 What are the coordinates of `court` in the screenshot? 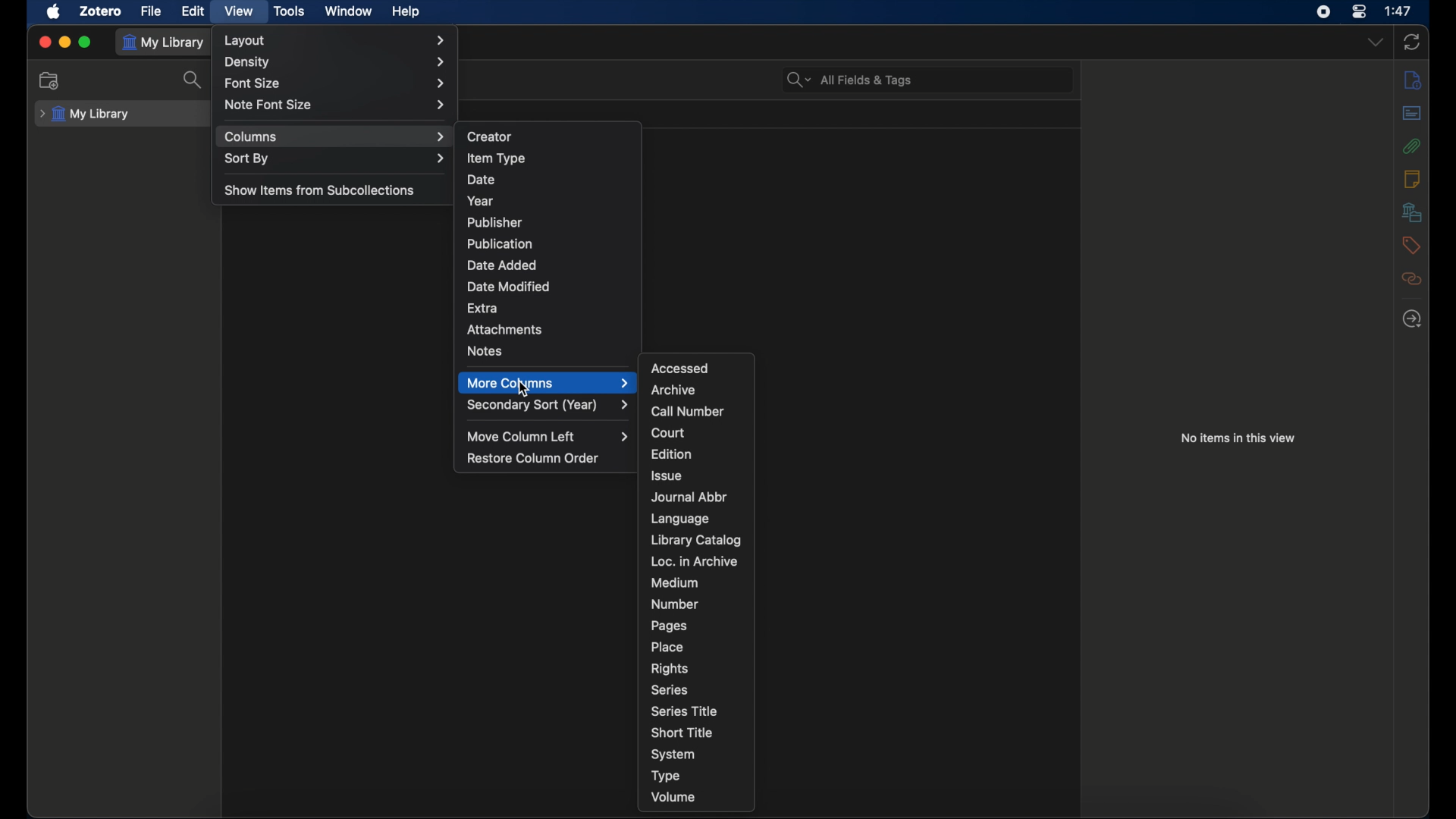 It's located at (667, 433).